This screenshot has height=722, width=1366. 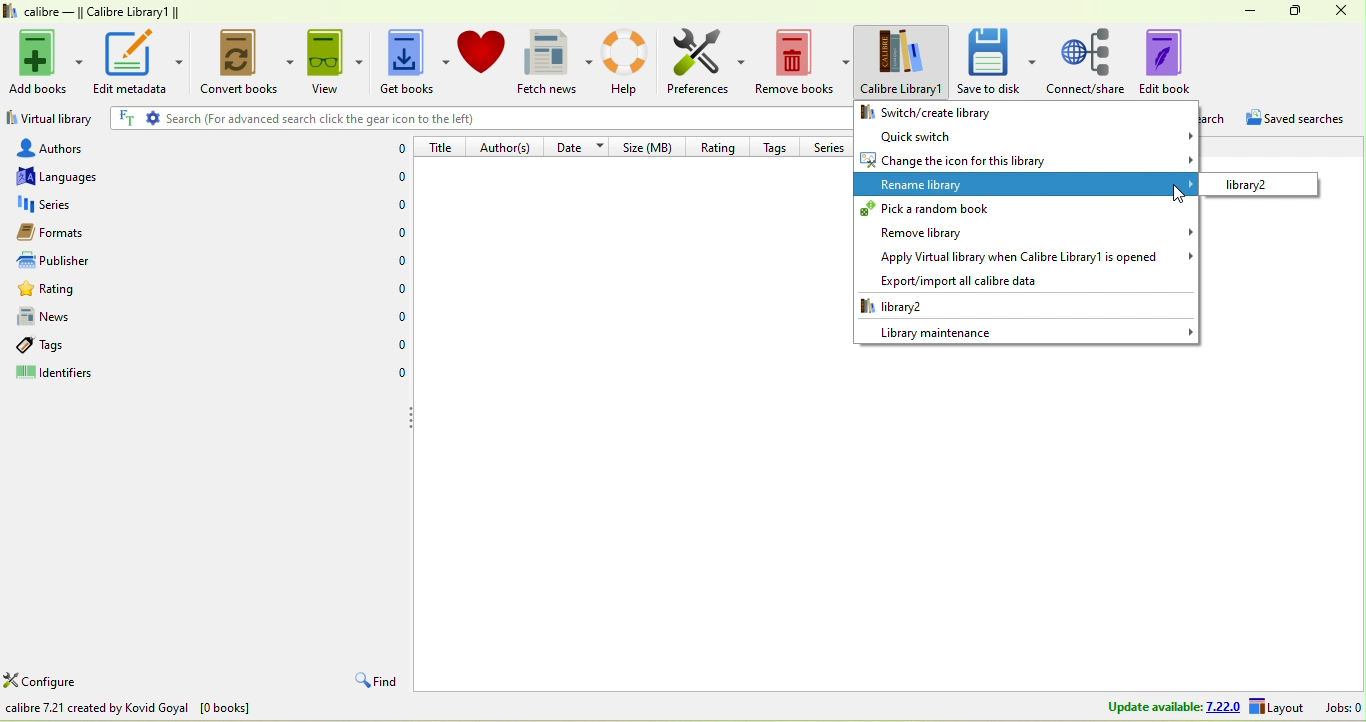 I want to click on cursor, so click(x=1179, y=194).